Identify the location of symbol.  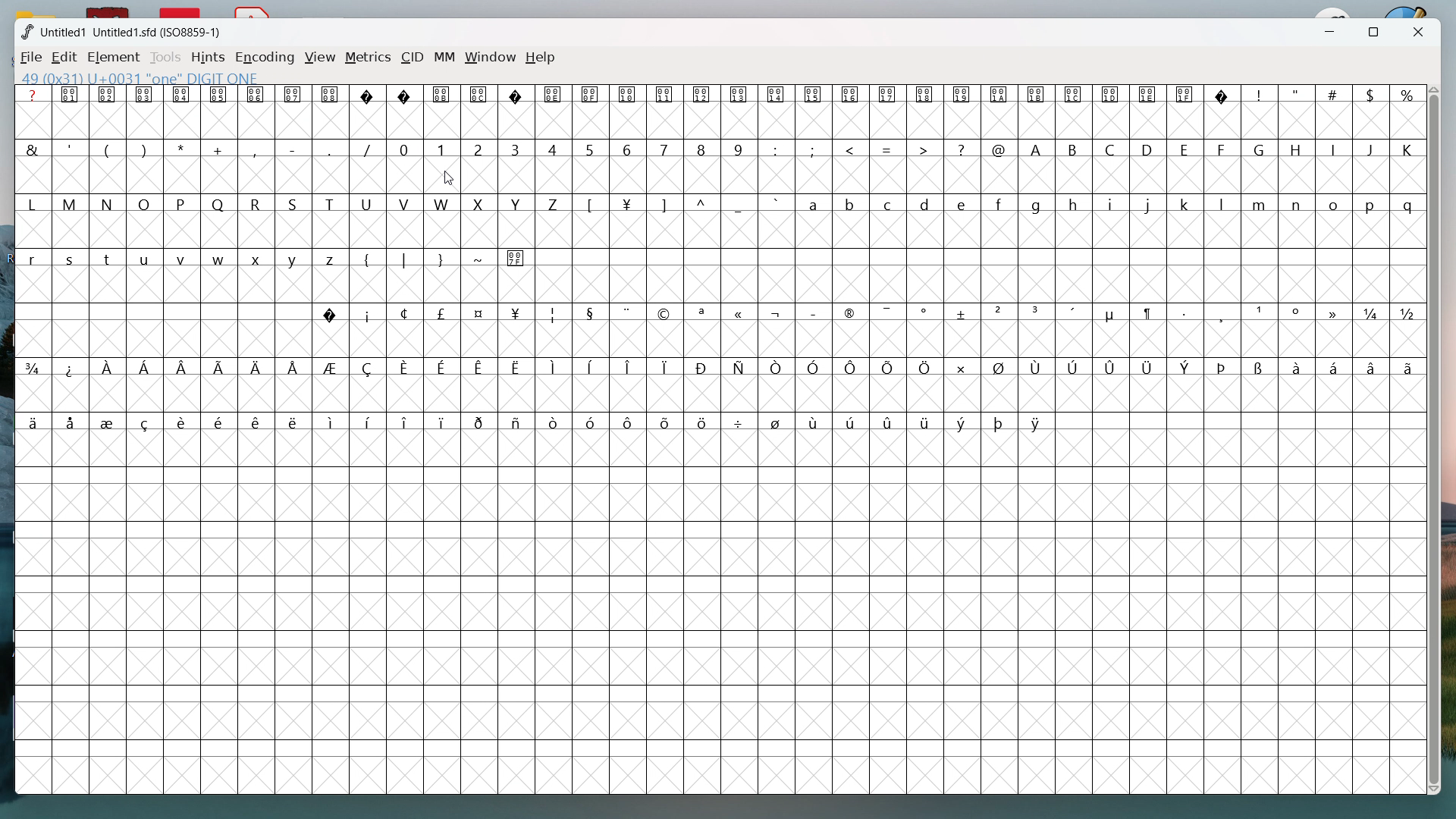
(182, 367).